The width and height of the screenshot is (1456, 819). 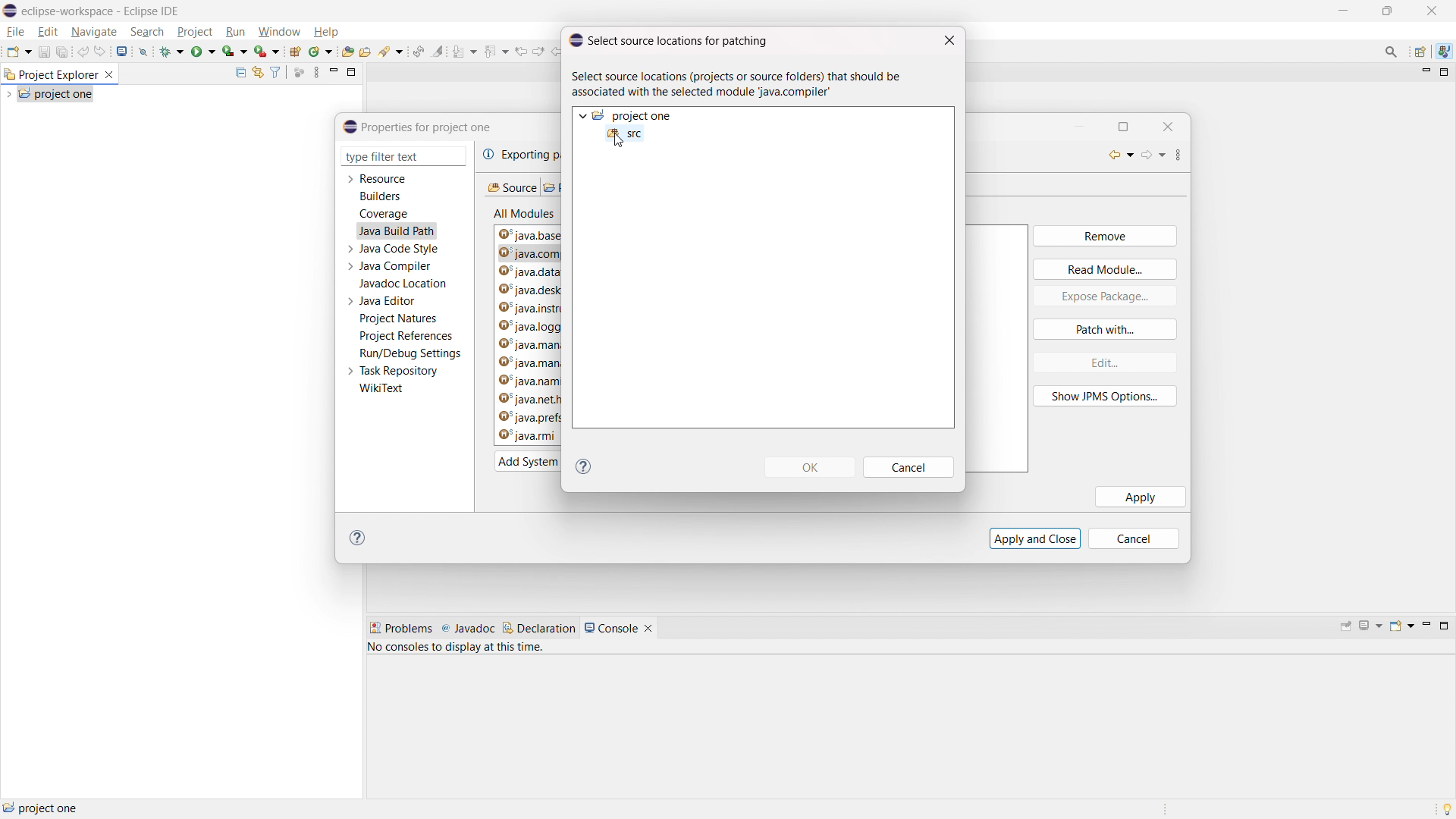 What do you see at coordinates (382, 389) in the screenshot?
I see `wikitext` at bounding box center [382, 389].